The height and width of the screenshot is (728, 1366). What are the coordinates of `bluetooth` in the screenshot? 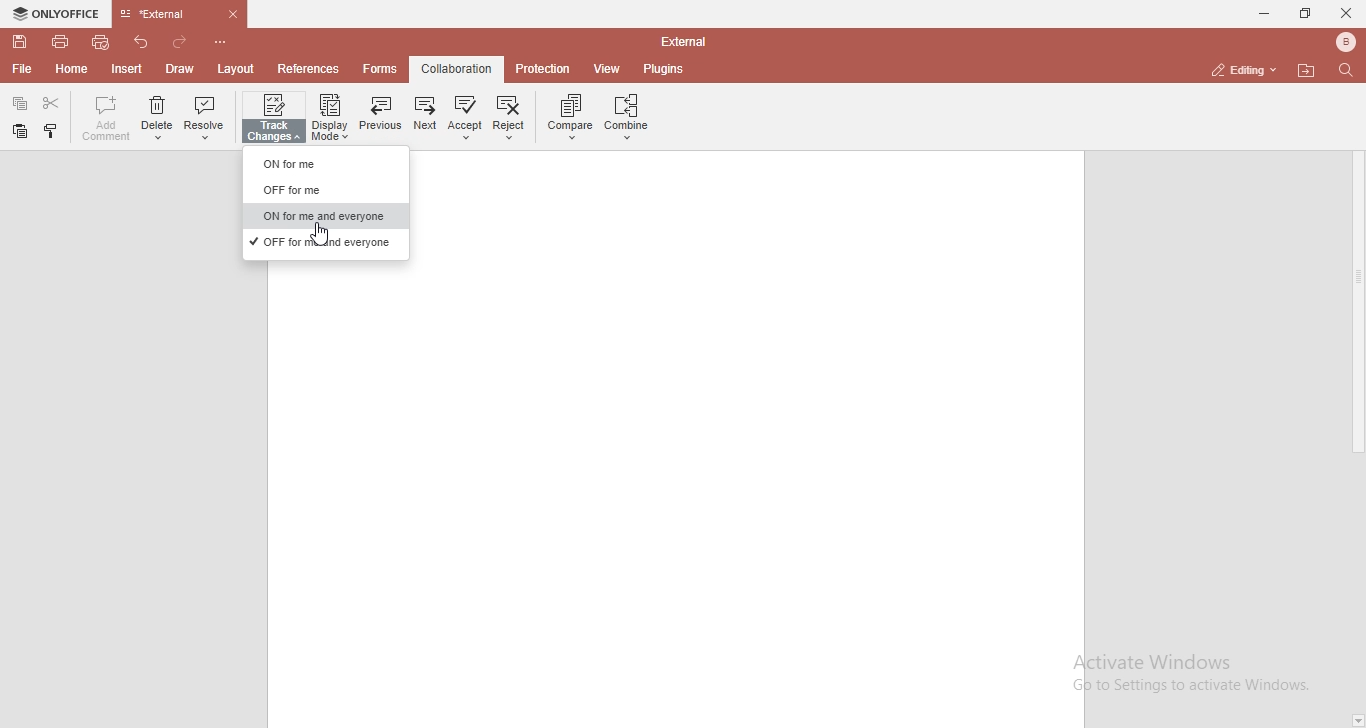 It's located at (1346, 42).